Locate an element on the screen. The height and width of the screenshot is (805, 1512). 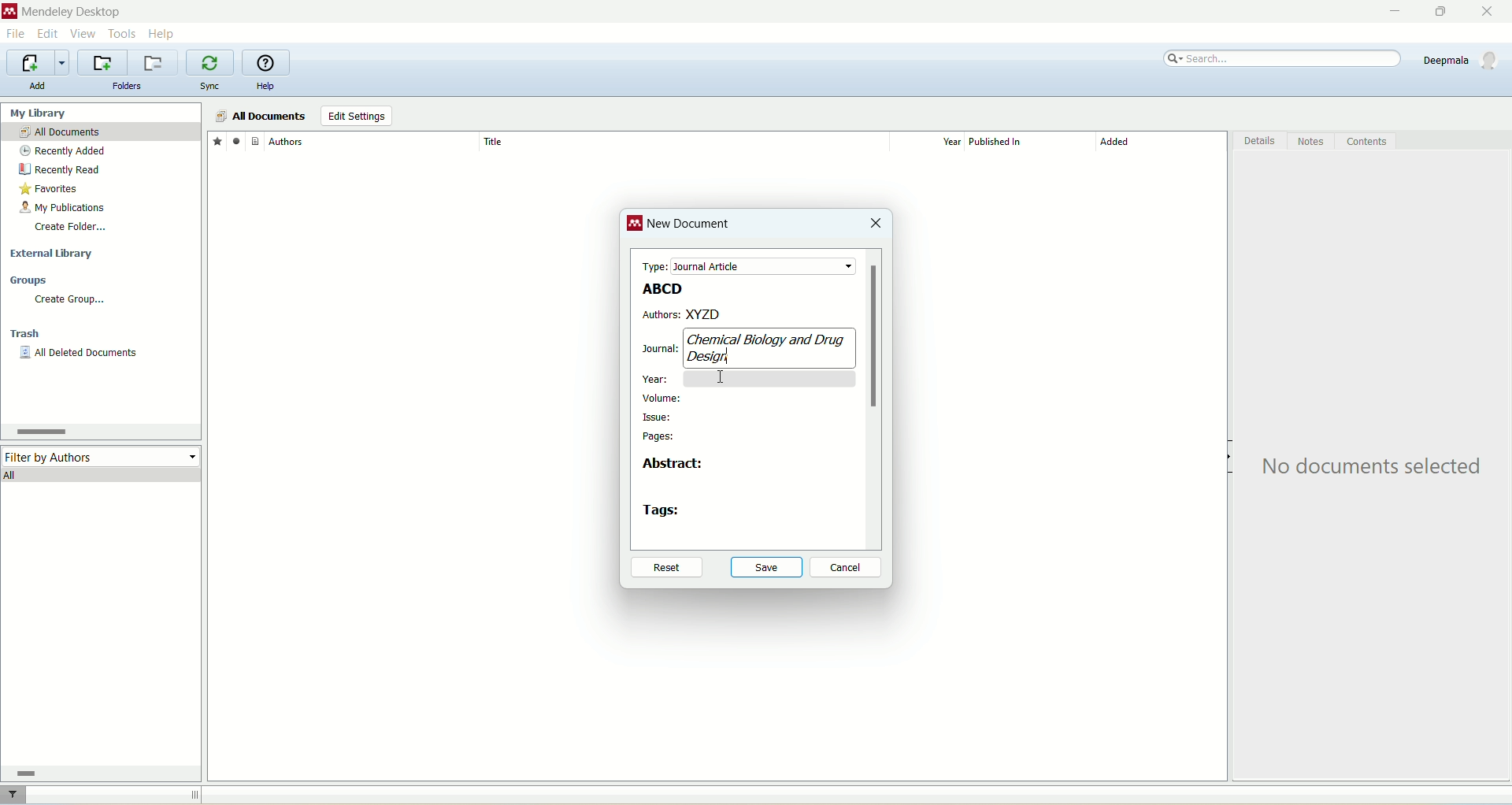
favorites is located at coordinates (217, 140).